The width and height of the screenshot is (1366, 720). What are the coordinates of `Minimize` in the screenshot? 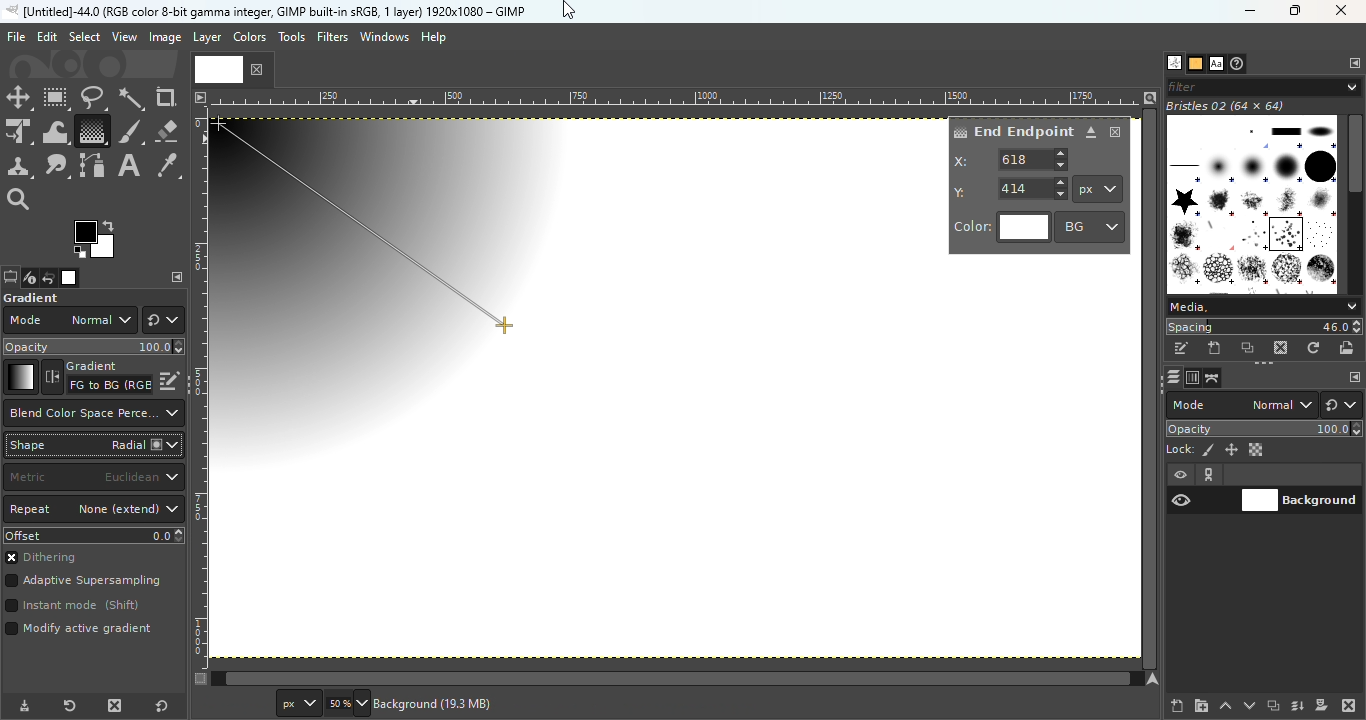 It's located at (1247, 11).